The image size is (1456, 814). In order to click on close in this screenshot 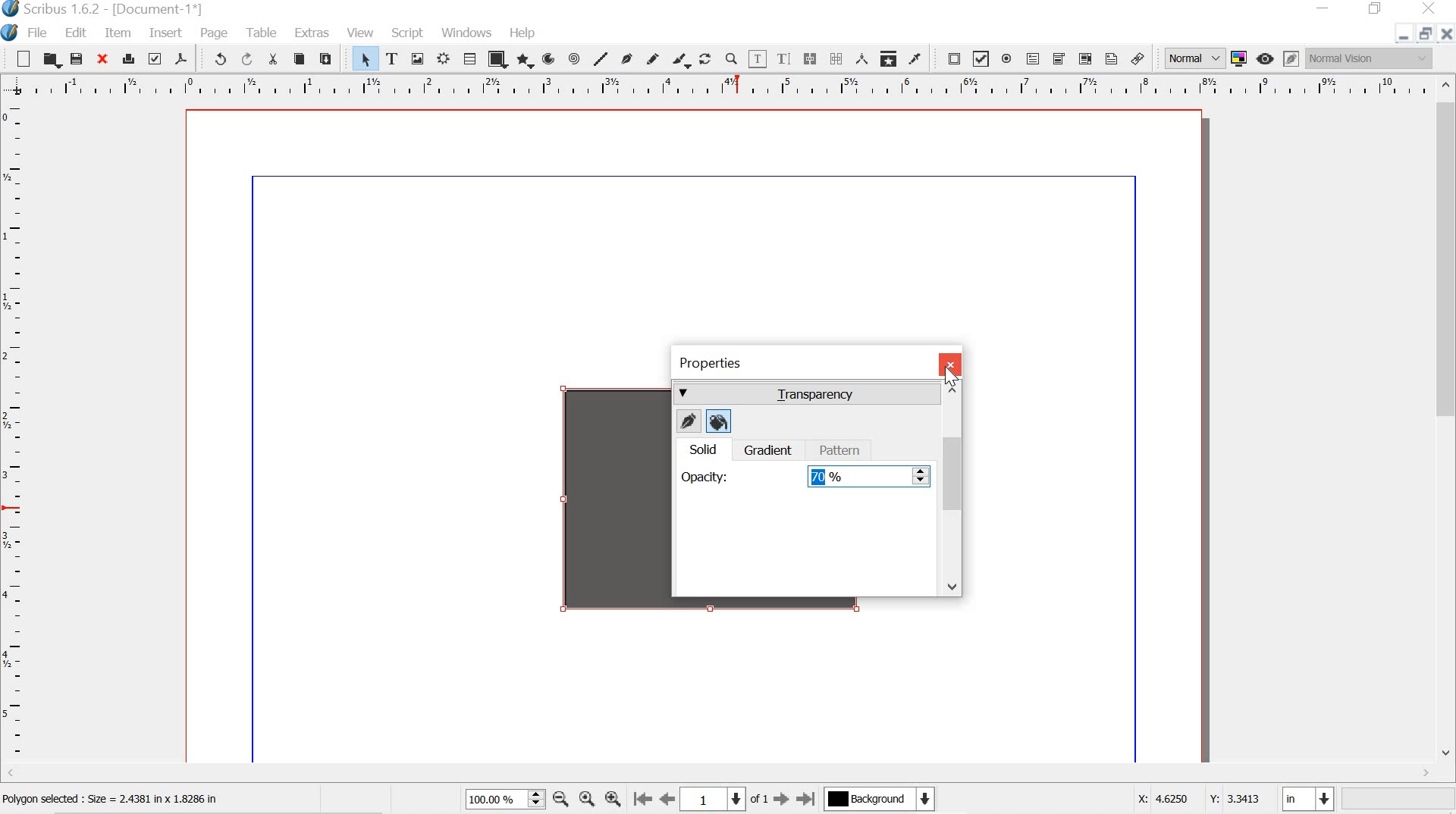, I will do `click(1429, 9)`.